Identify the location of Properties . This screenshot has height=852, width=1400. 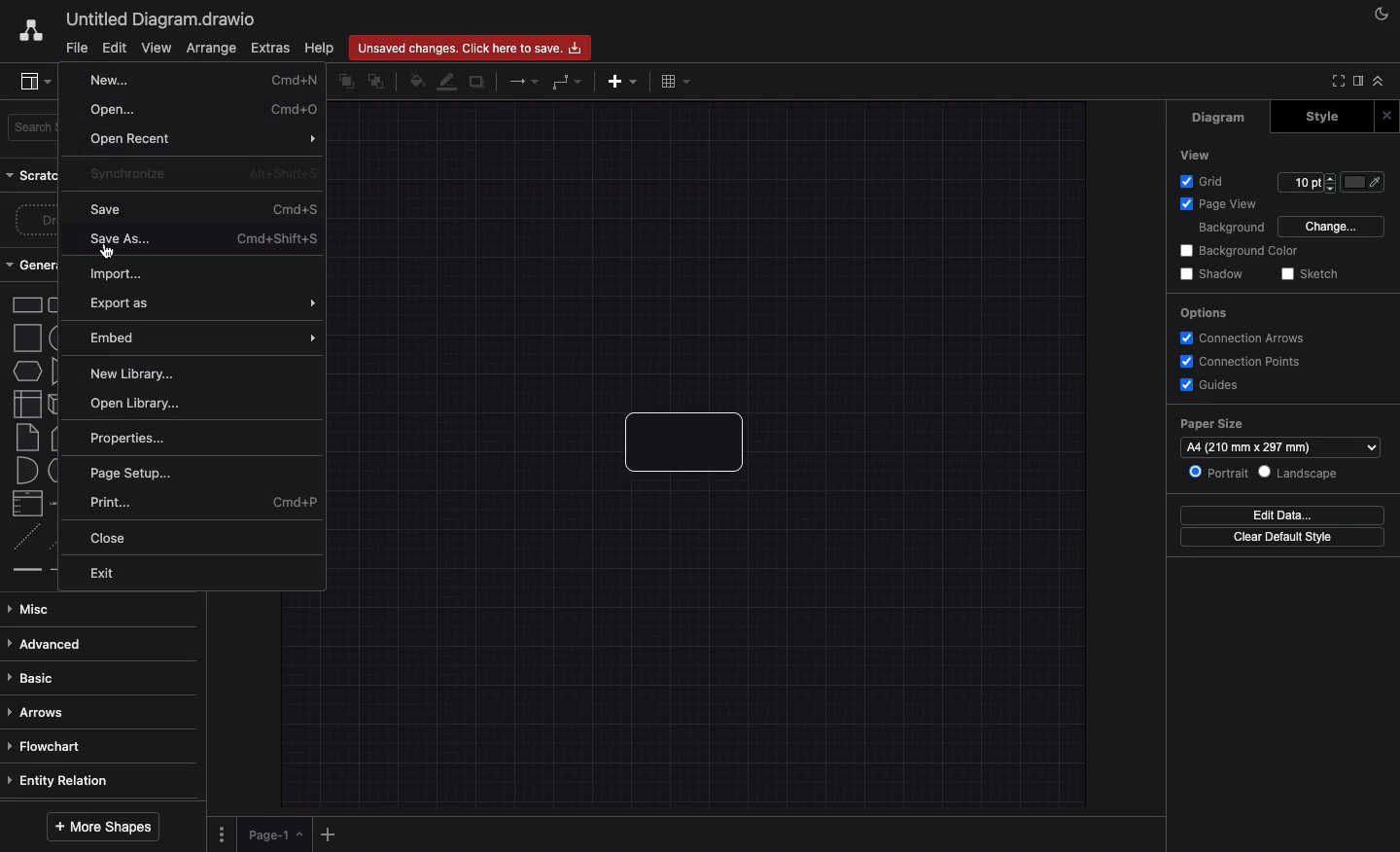
(133, 441).